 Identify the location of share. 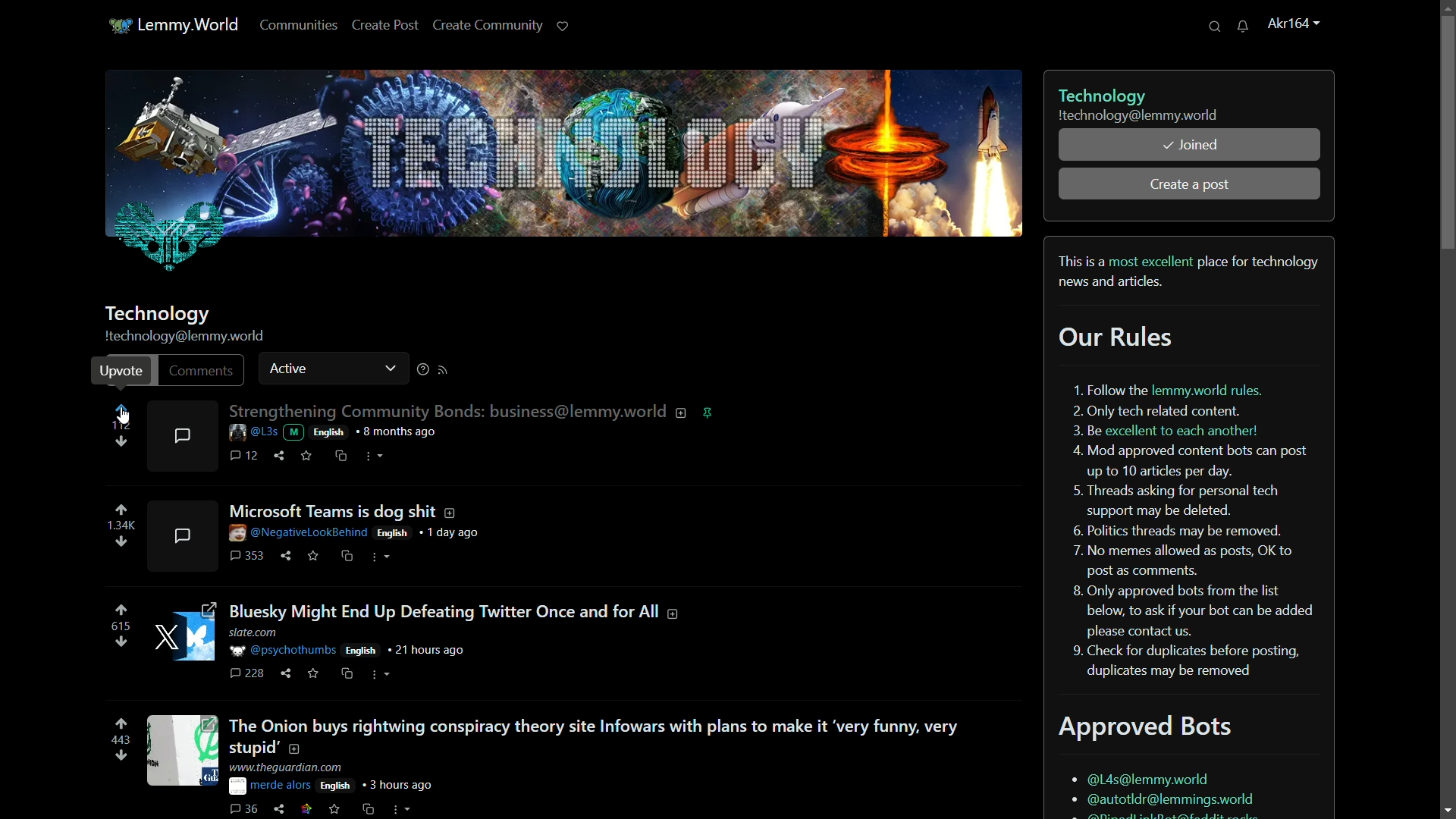
(284, 806).